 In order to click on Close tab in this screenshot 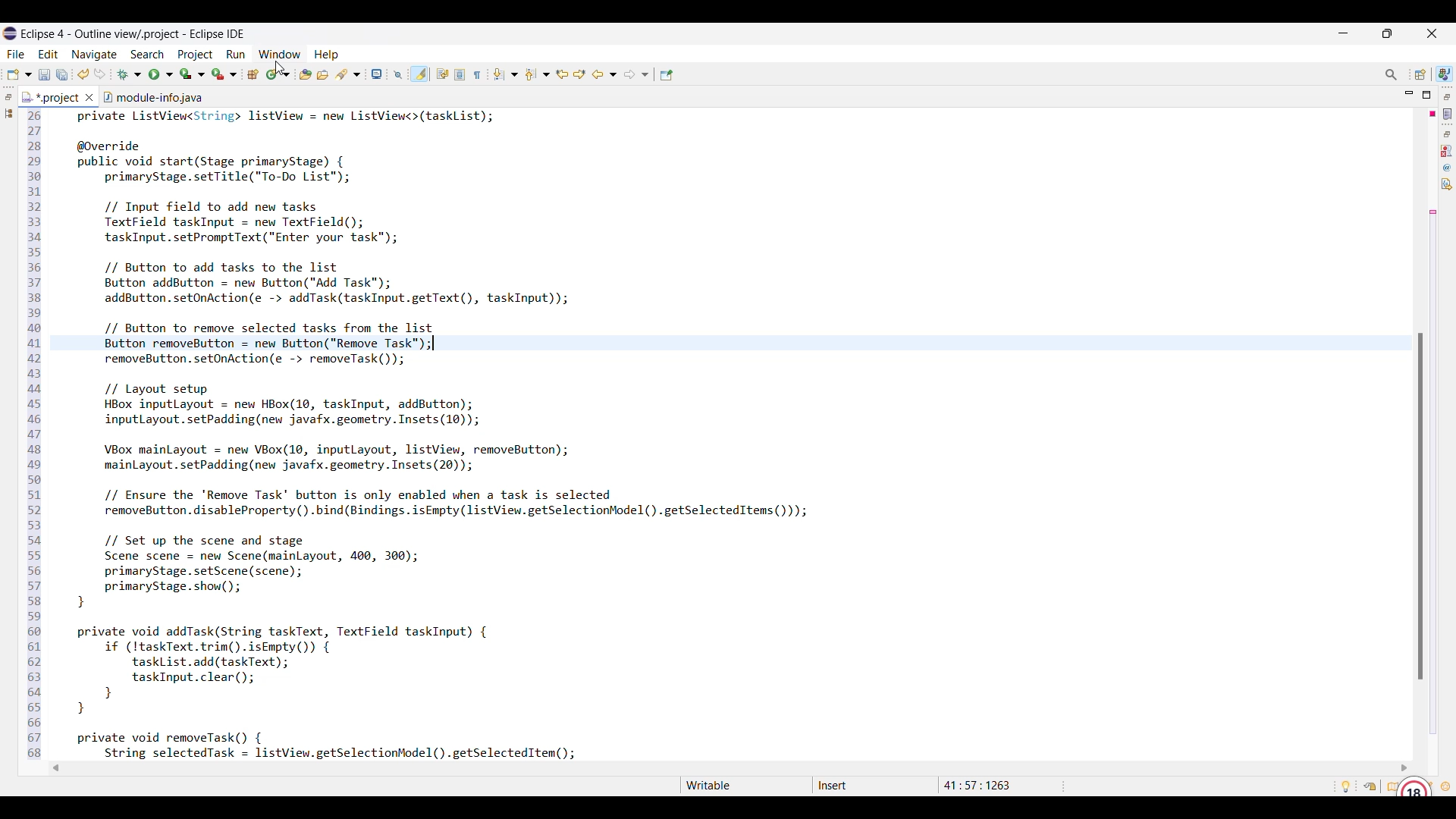, I will do `click(89, 97)`.